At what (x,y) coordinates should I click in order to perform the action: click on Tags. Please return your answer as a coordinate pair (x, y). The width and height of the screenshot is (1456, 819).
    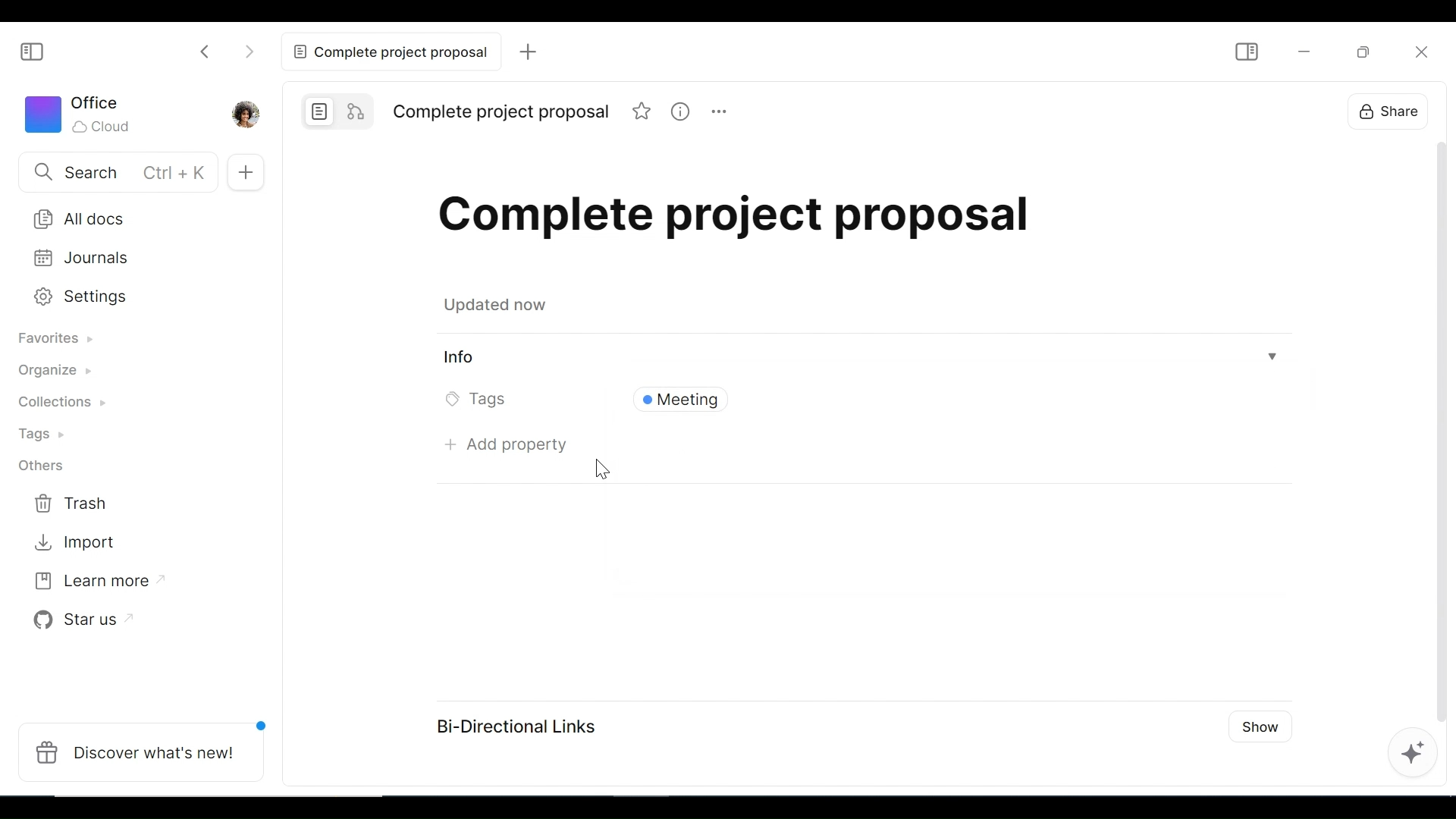
    Looking at the image, I should click on (482, 398).